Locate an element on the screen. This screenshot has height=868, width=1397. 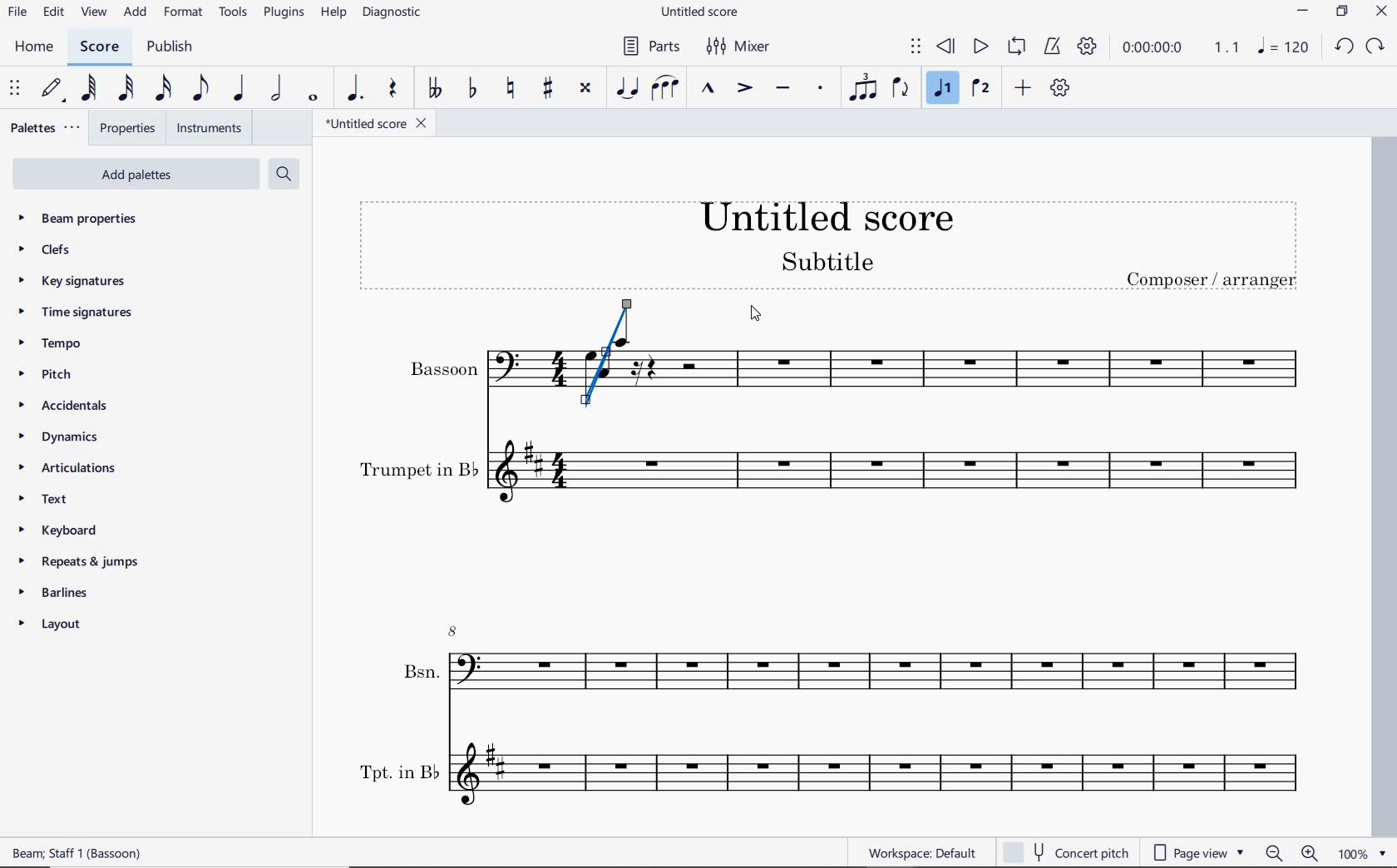
file name is located at coordinates (378, 123).